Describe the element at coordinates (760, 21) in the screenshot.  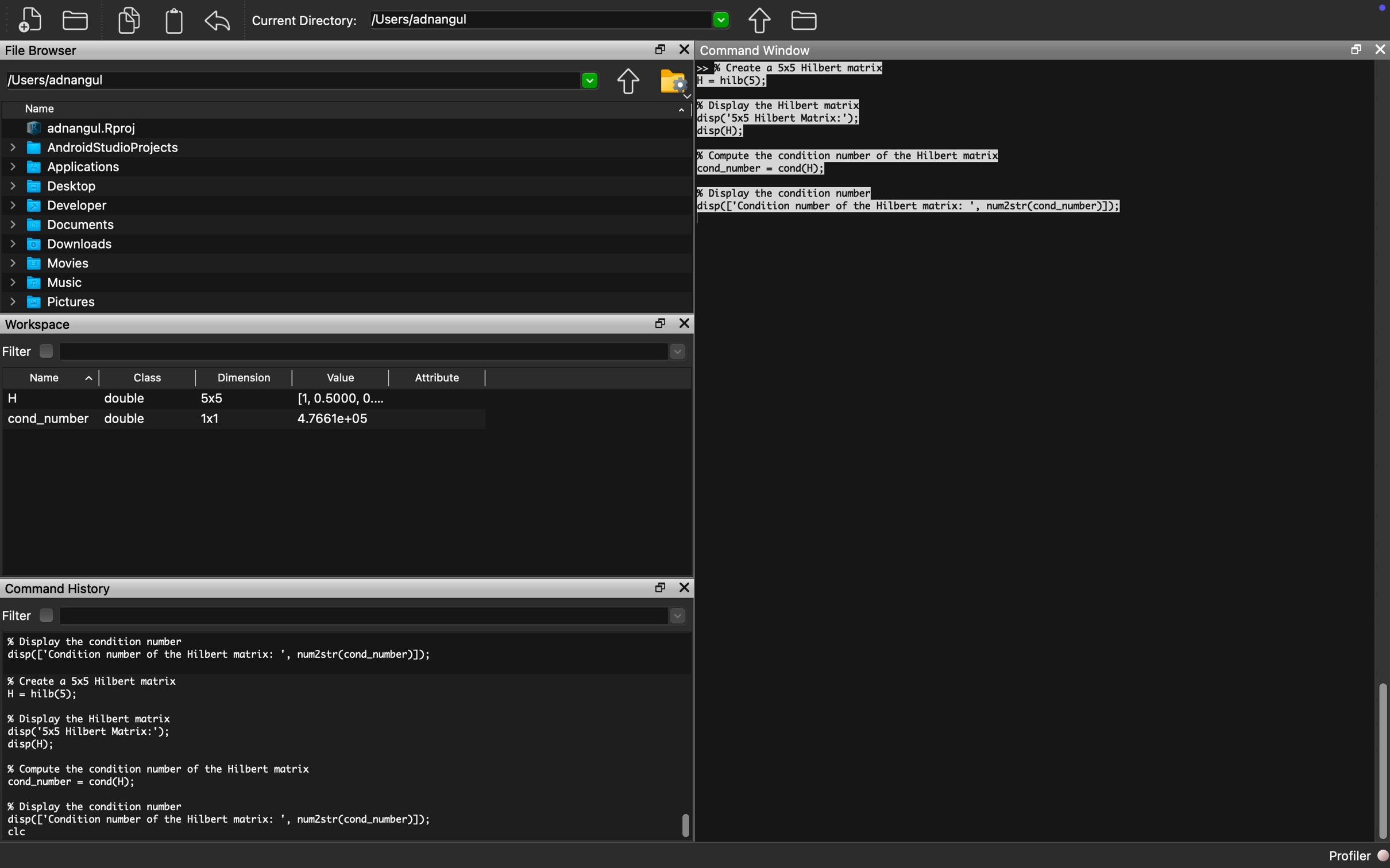
I see `Parent Directory` at that location.